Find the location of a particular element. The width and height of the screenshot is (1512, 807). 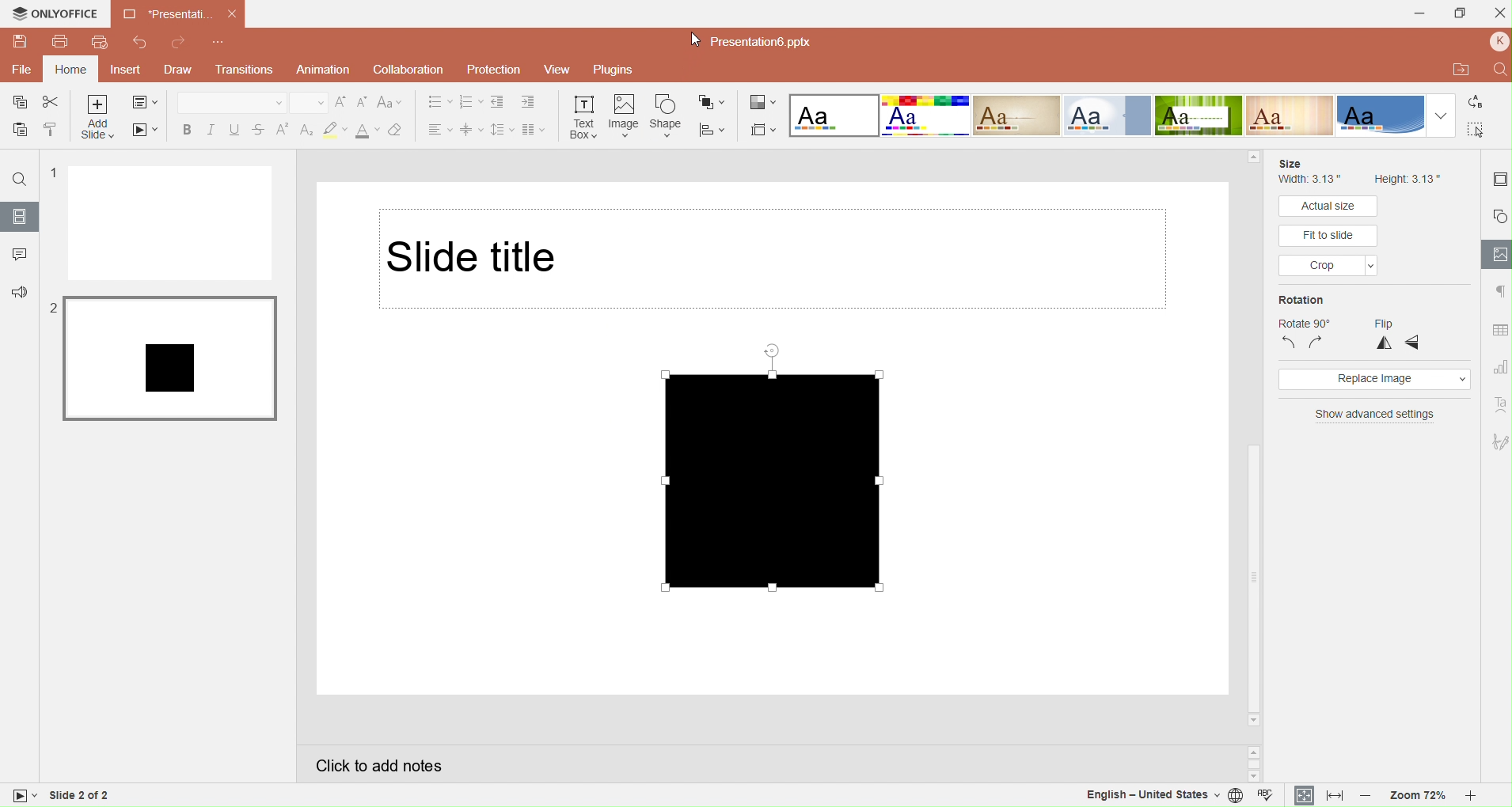

Redo is located at coordinates (178, 45).